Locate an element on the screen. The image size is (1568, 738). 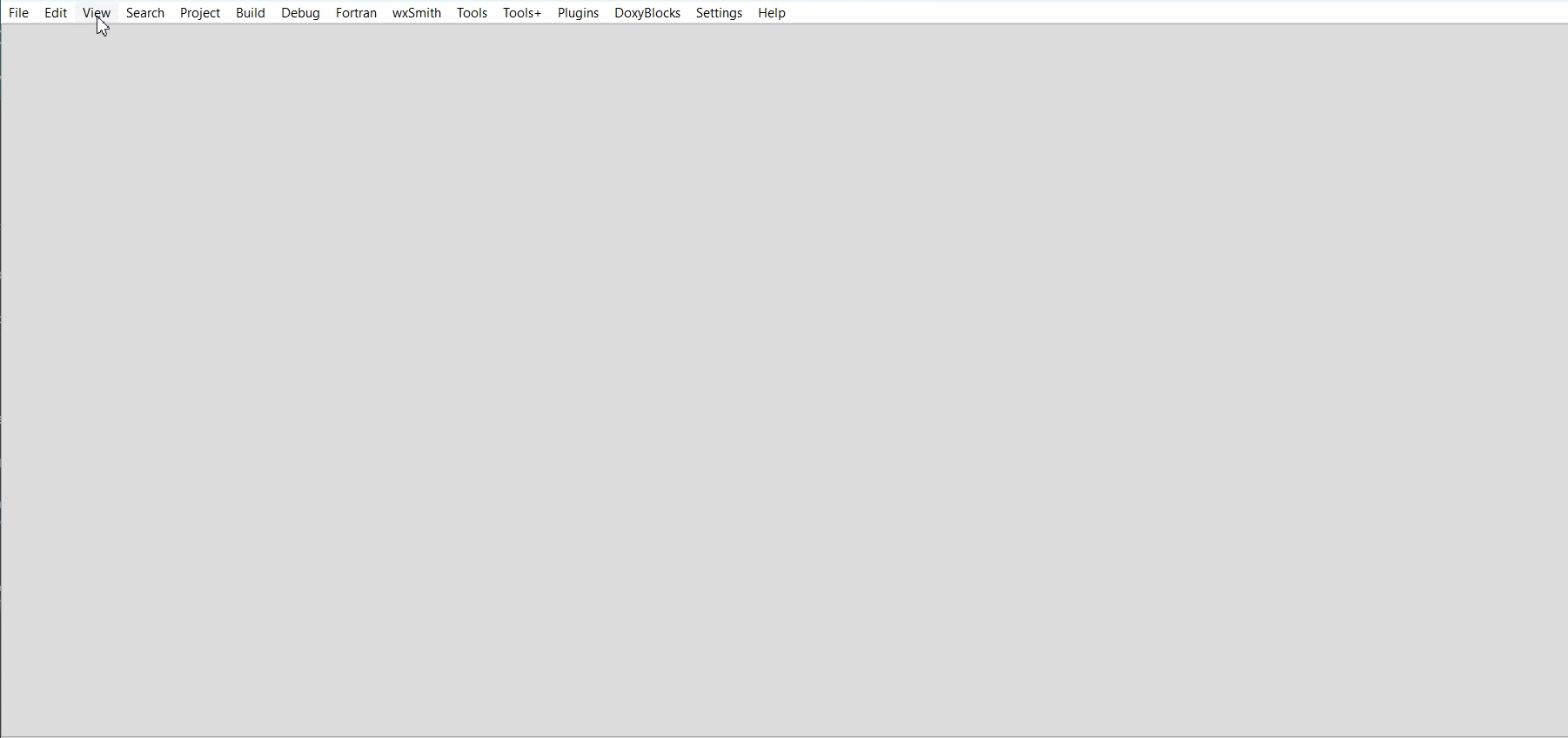
Settings is located at coordinates (719, 13).